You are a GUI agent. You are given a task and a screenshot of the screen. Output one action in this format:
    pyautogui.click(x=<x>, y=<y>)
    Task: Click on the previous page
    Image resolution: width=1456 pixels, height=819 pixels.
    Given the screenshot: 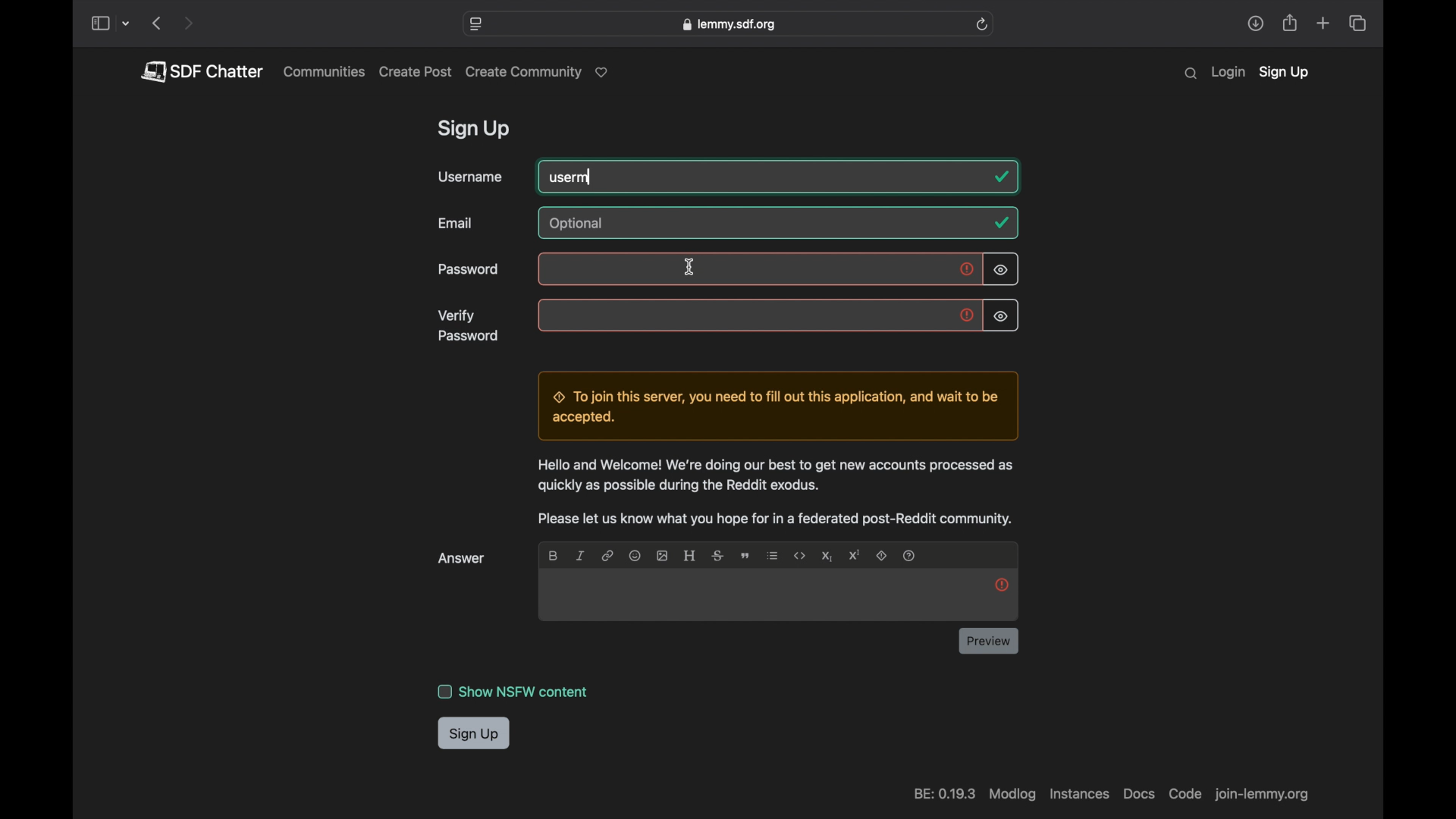 What is the action you would take?
    pyautogui.click(x=156, y=23)
    